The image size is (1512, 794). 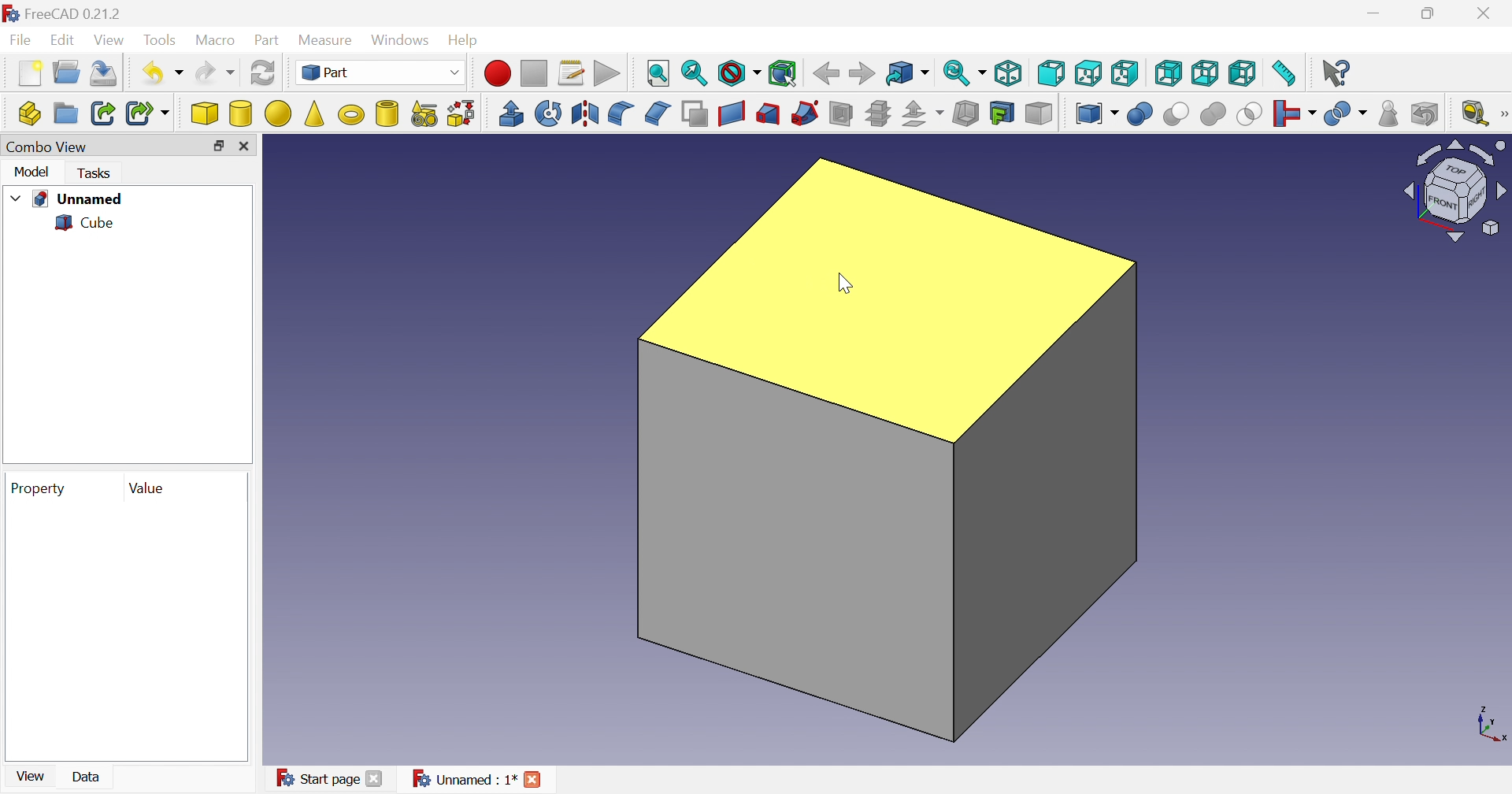 What do you see at coordinates (496, 74) in the screenshot?
I see `Macro recording` at bounding box center [496, 74].